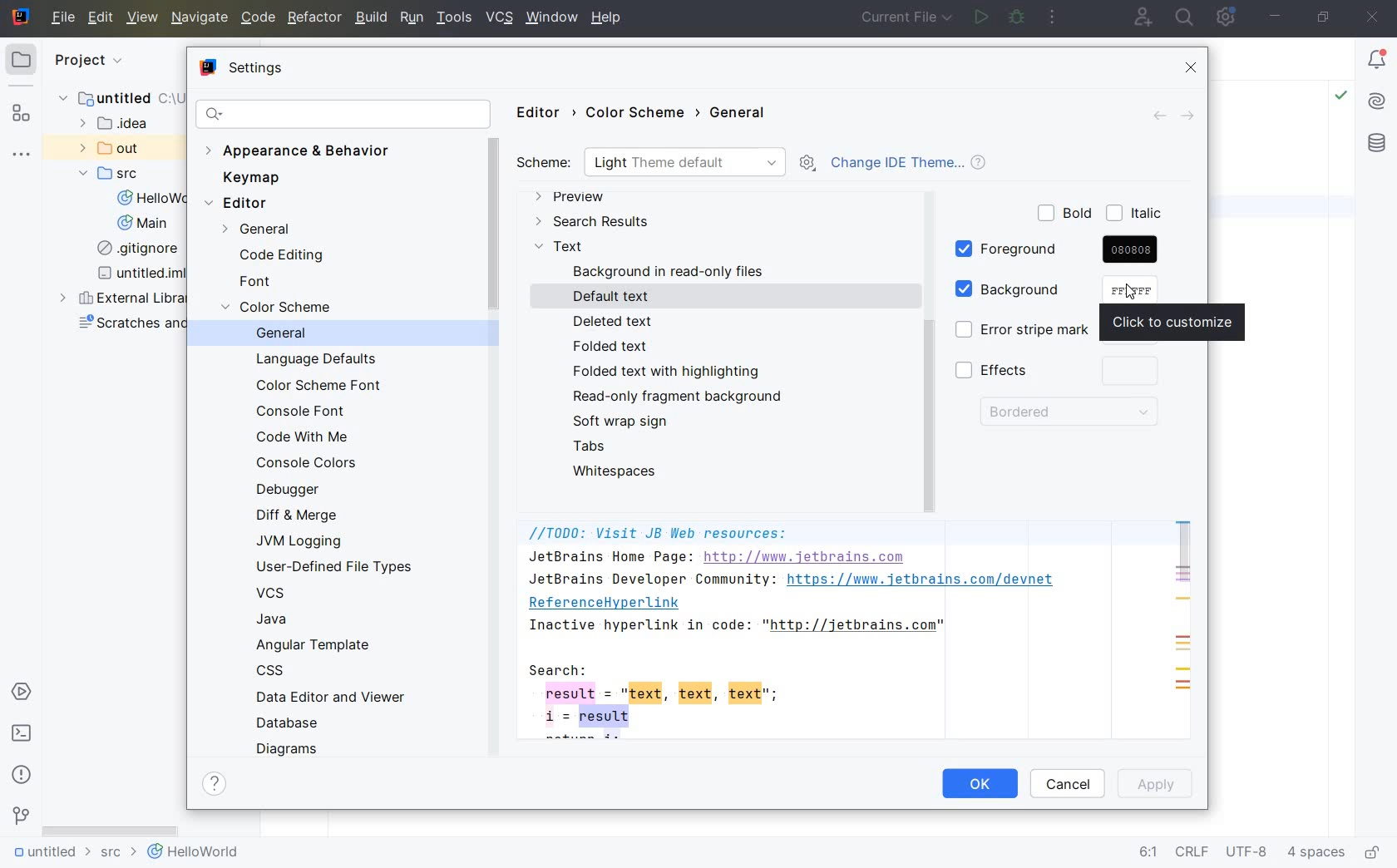  Describe the element at coordinates (653, 163) in the screenshot. I see `SCHEME` at that location.